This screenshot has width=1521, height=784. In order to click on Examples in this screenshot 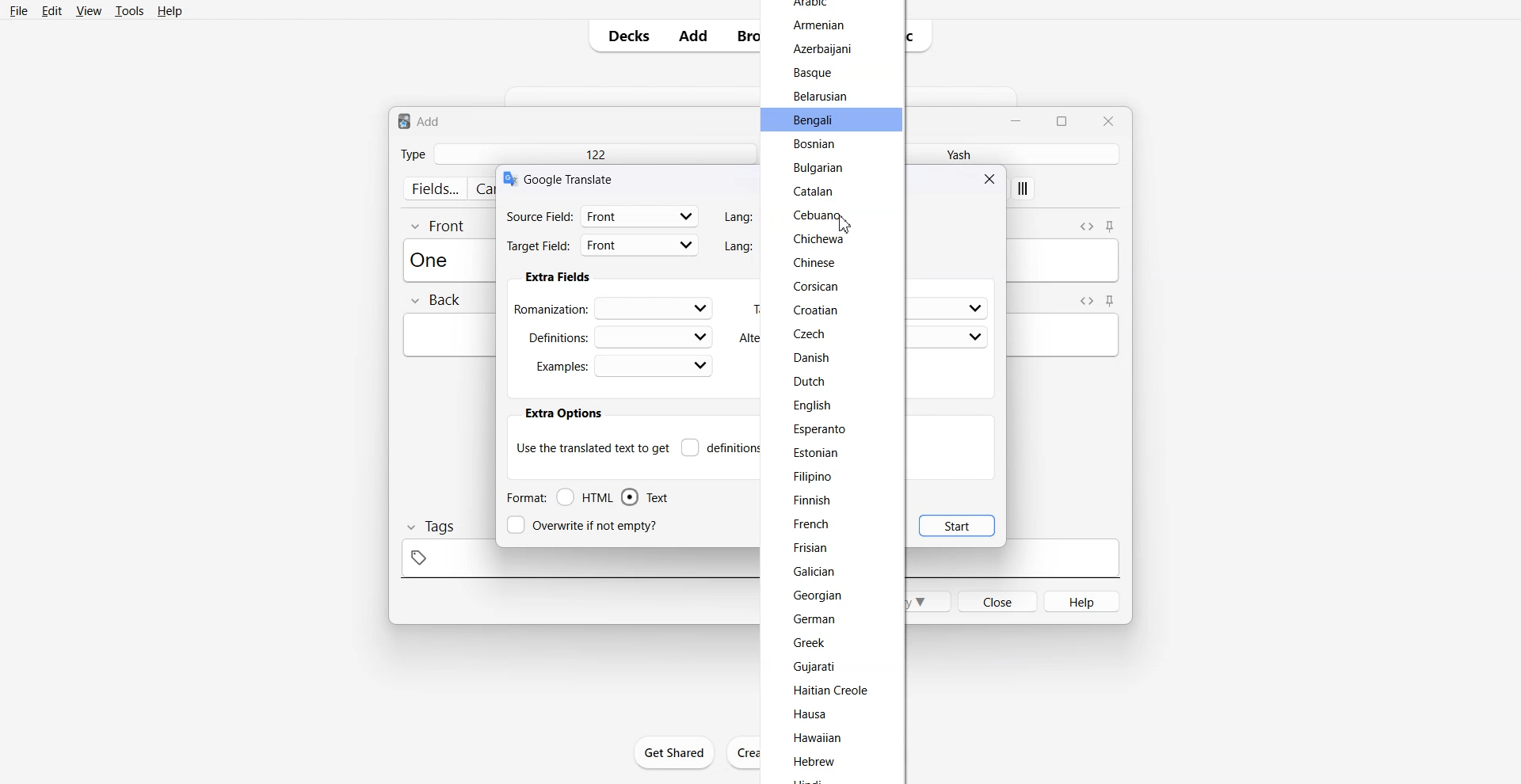, I will do `click(623, 366)`.